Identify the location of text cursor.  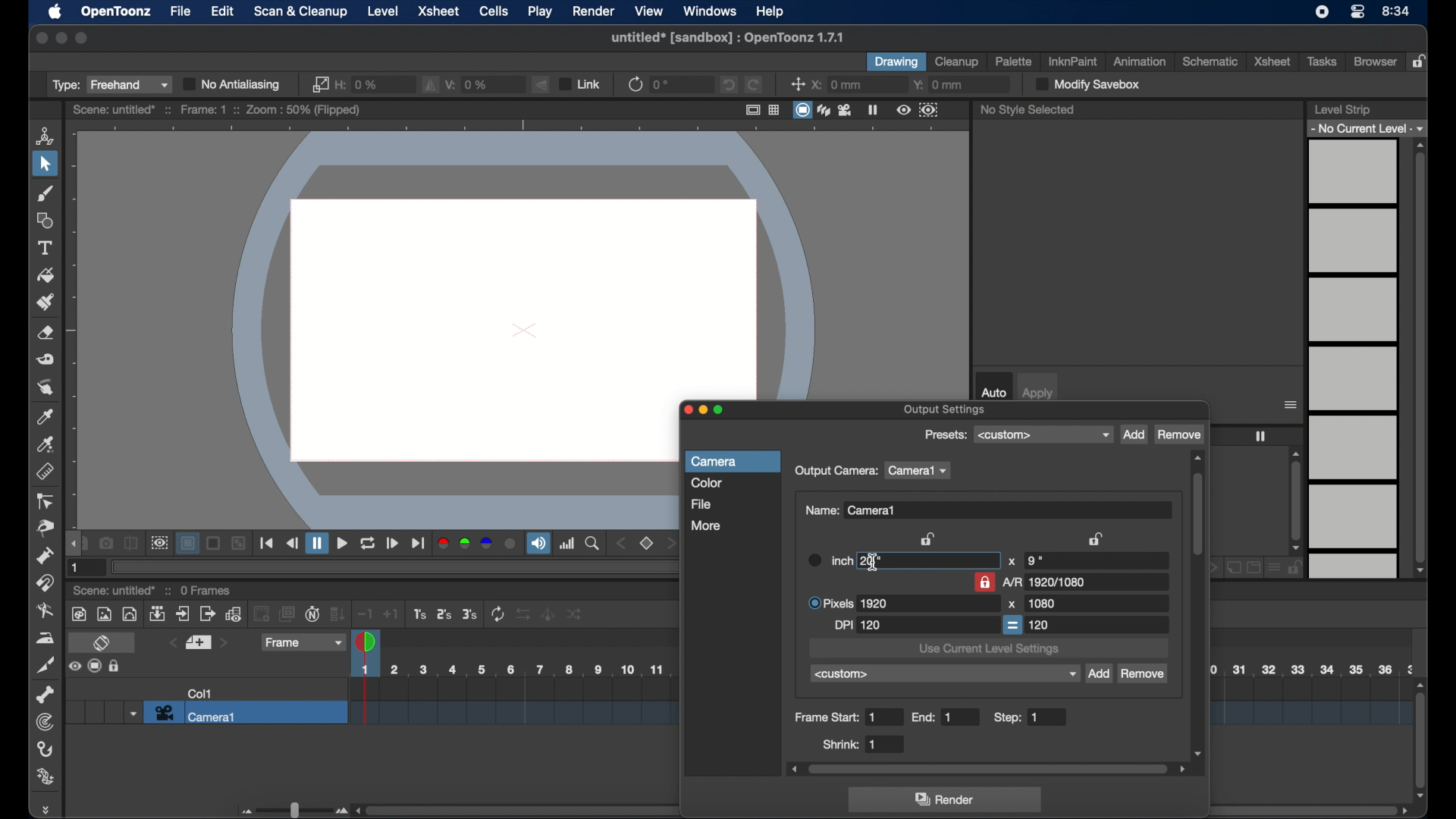
(874, 563).